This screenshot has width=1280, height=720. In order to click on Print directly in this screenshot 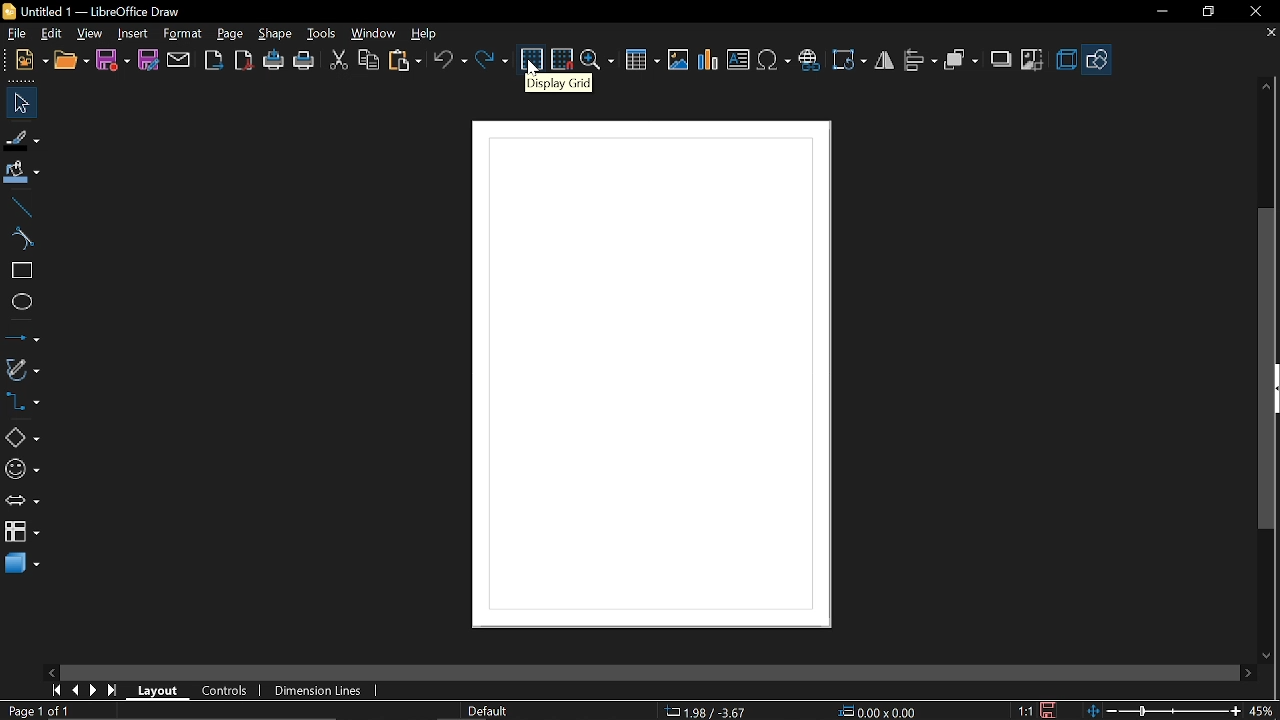, I will do `click(274, 61)`.